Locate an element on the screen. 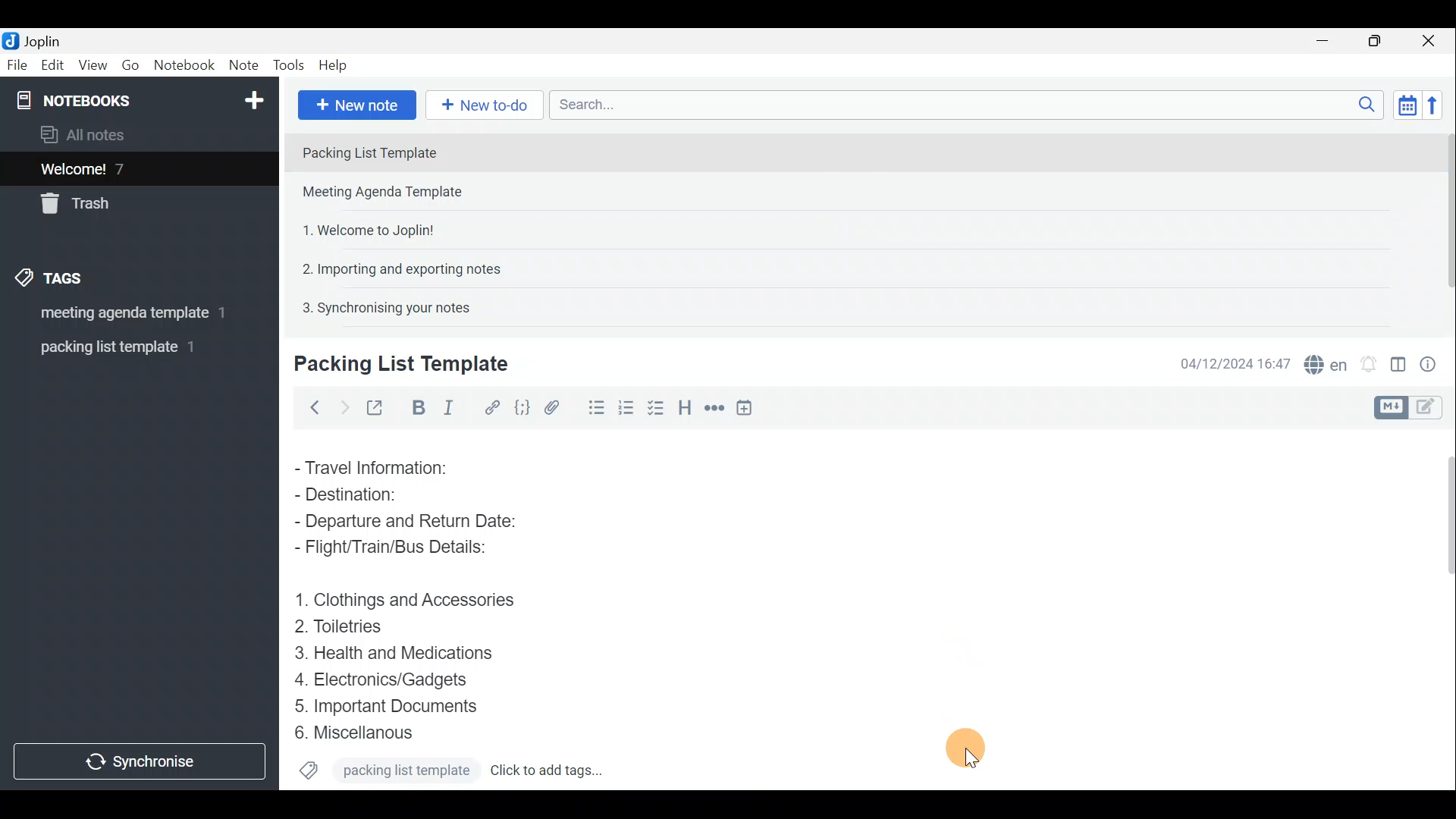 The height and width of the screenshot is (819, 1456). Insert time is located at coordinates (749, 407).